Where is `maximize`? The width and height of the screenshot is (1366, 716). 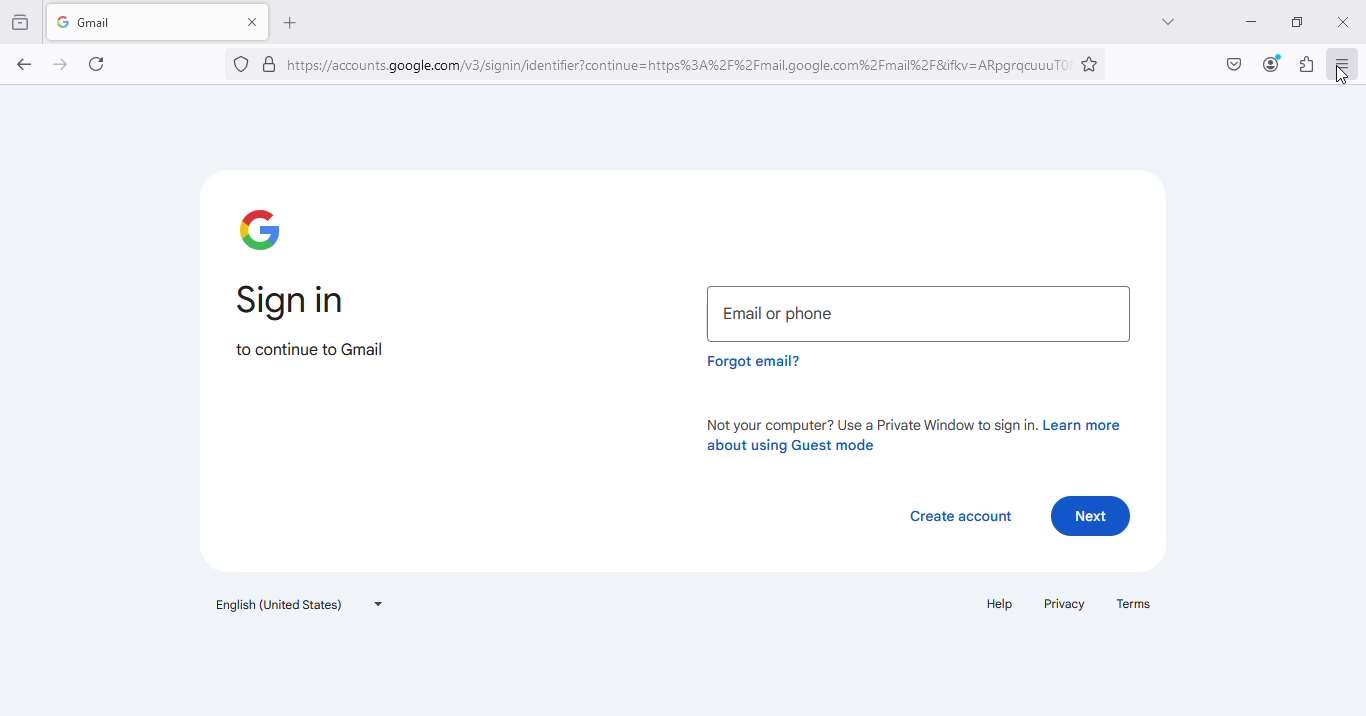
maximize is located at coordinates (1298, 22).